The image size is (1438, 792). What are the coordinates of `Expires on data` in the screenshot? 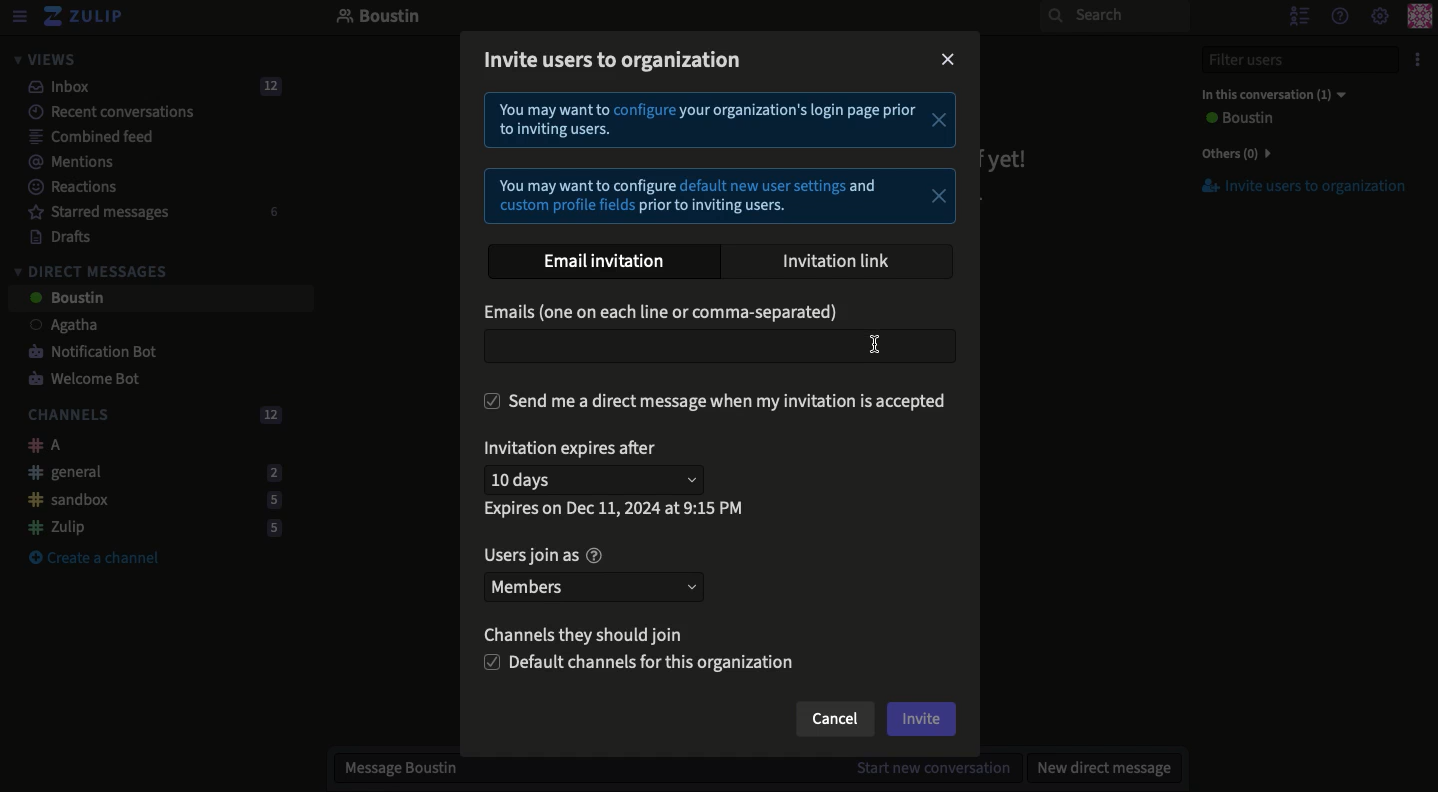 It's located at (616, 508).